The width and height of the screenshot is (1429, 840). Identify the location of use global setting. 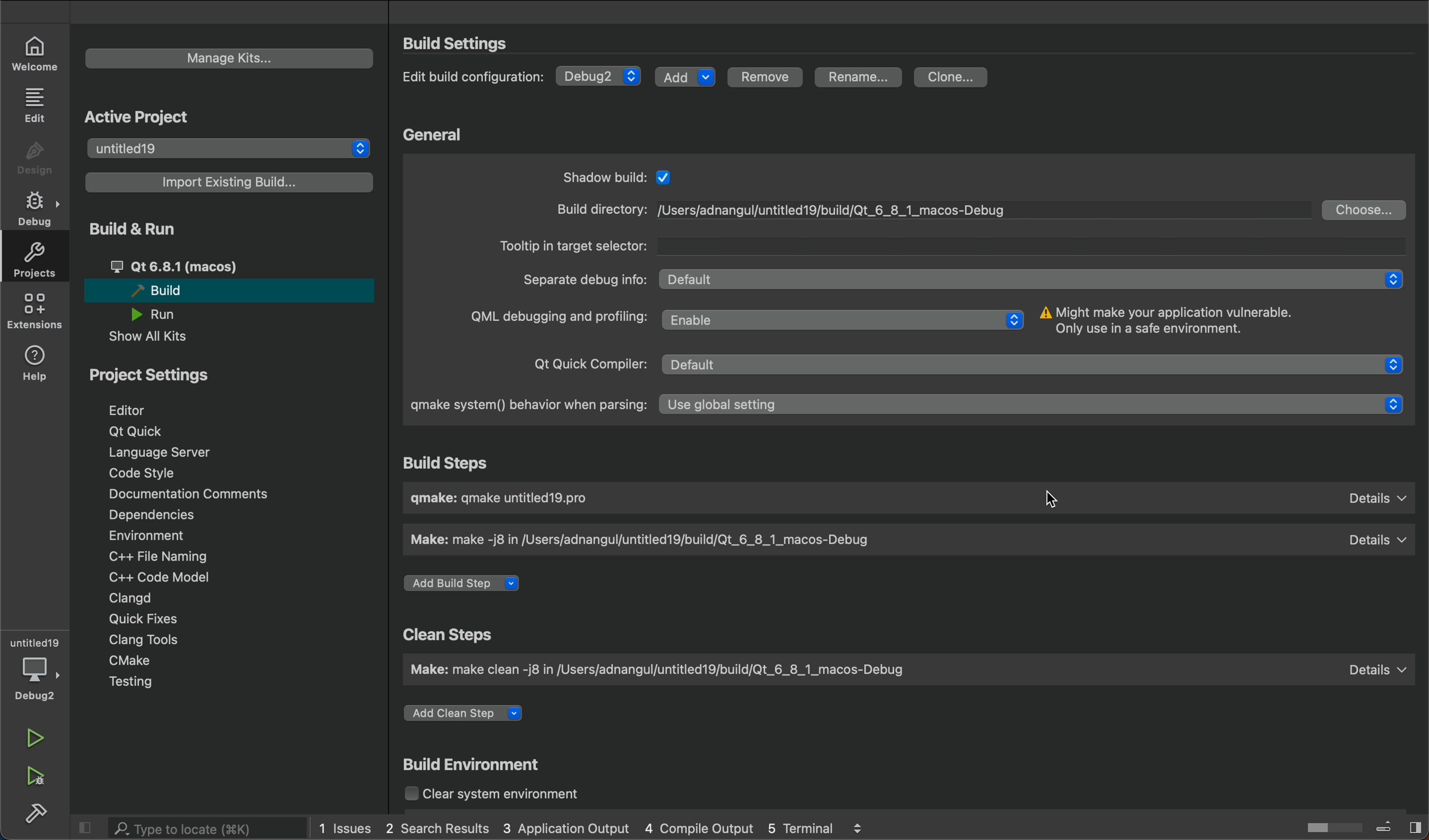
(1031, 408).